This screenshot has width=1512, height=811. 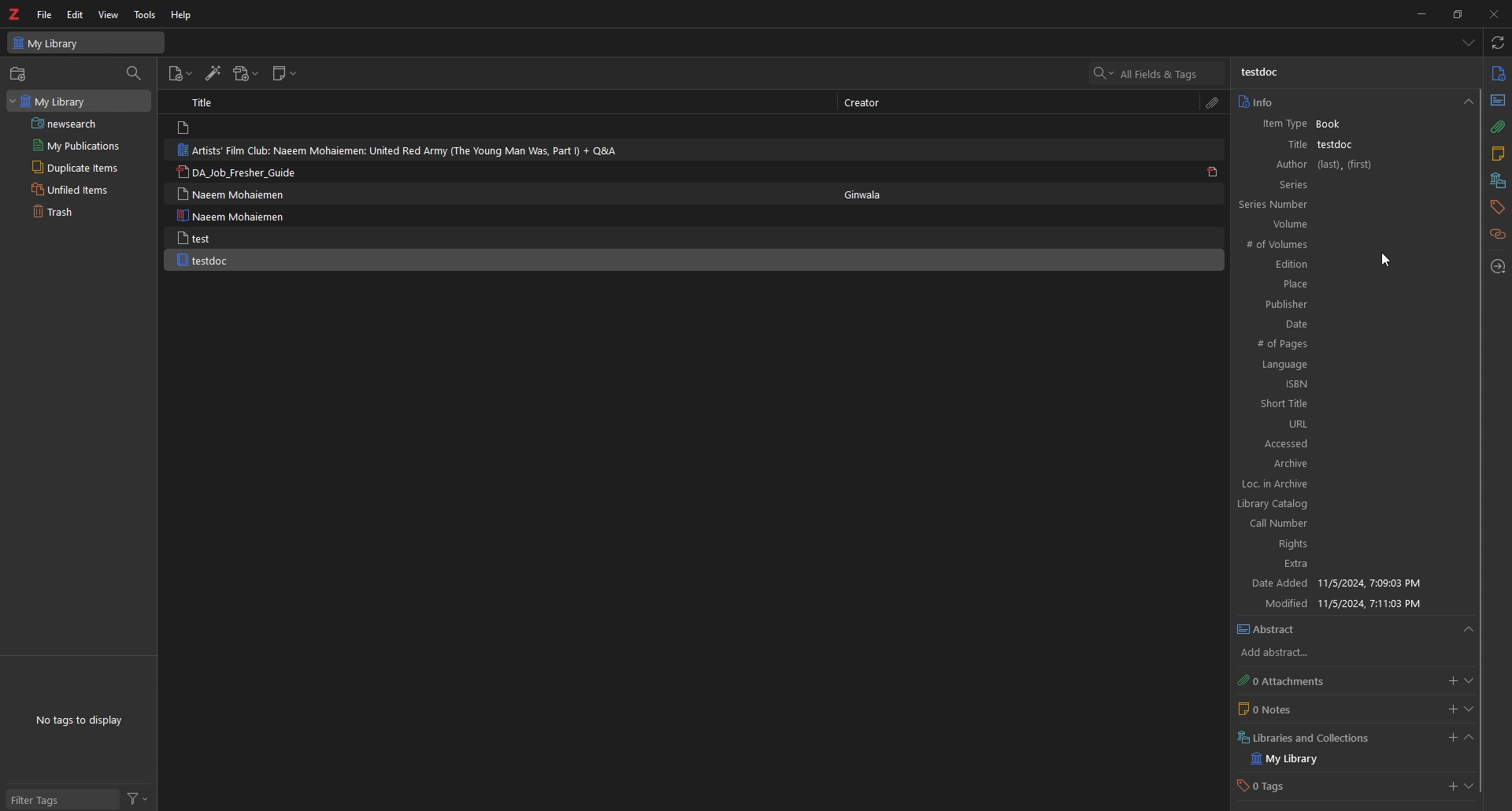 What do you see at coordinates (864, 194) in the screenshot?
I see `Ginwala` at bounding box center [864, 194].